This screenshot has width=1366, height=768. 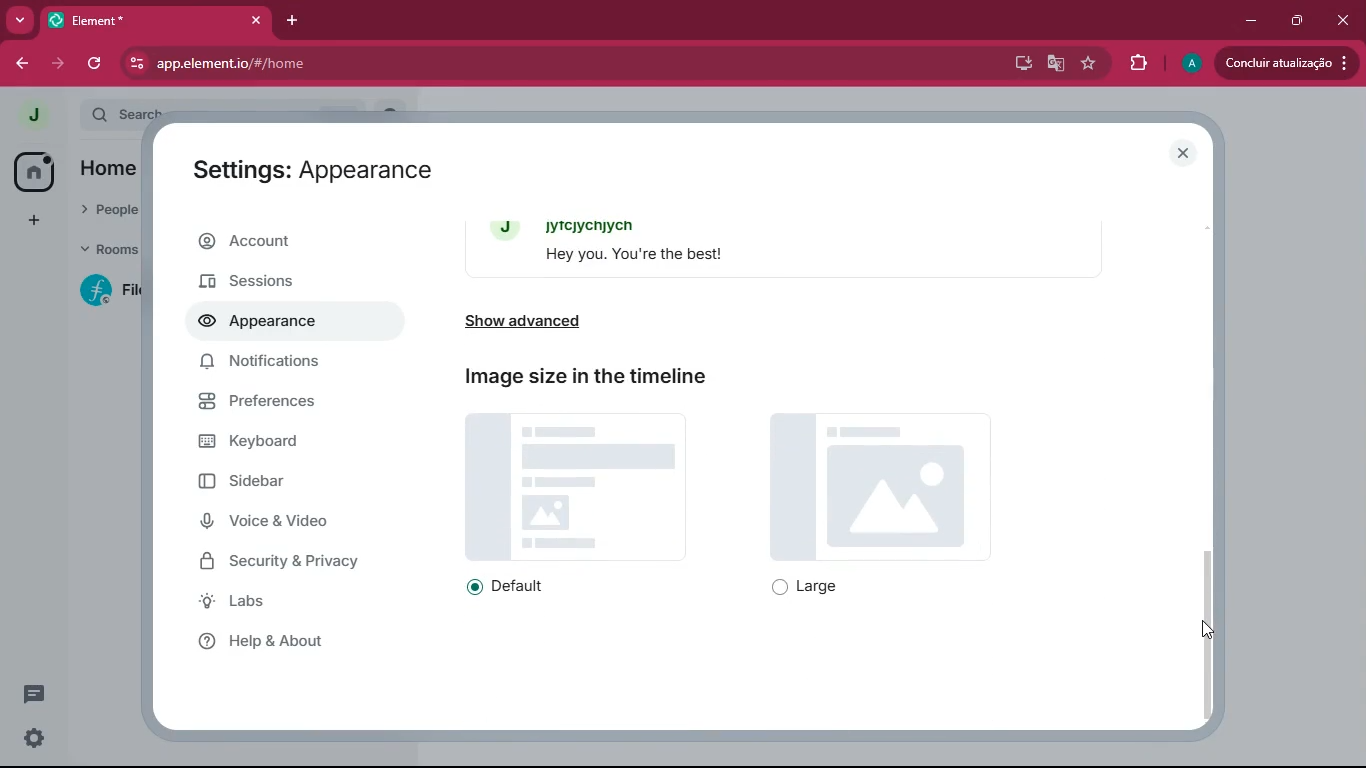 What do you see at coordinates (35, 115) in the screenshot?
I see `profile` at bounding box center [35, 115].